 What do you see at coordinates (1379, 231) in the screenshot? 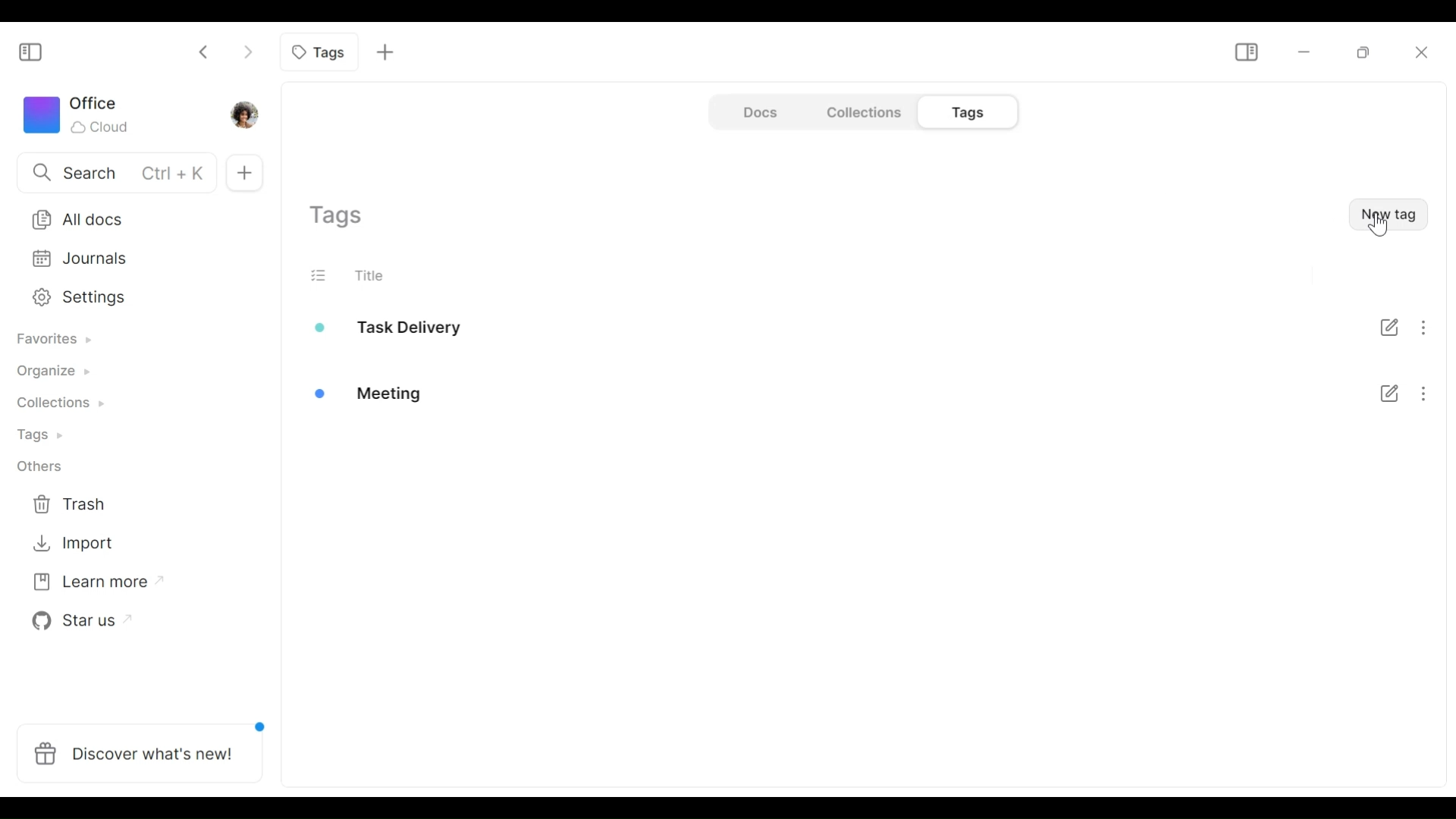
I see `cursor` at bounding box center [1379, 231].